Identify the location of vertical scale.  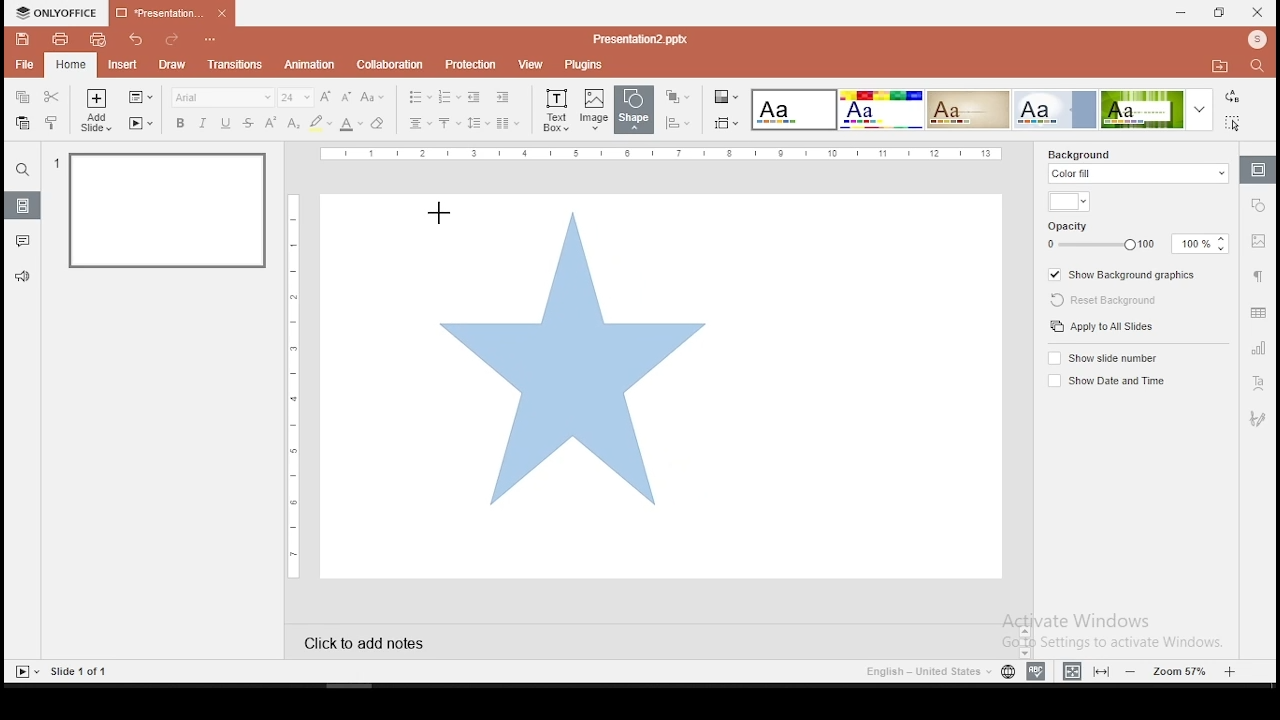
(662, 154).